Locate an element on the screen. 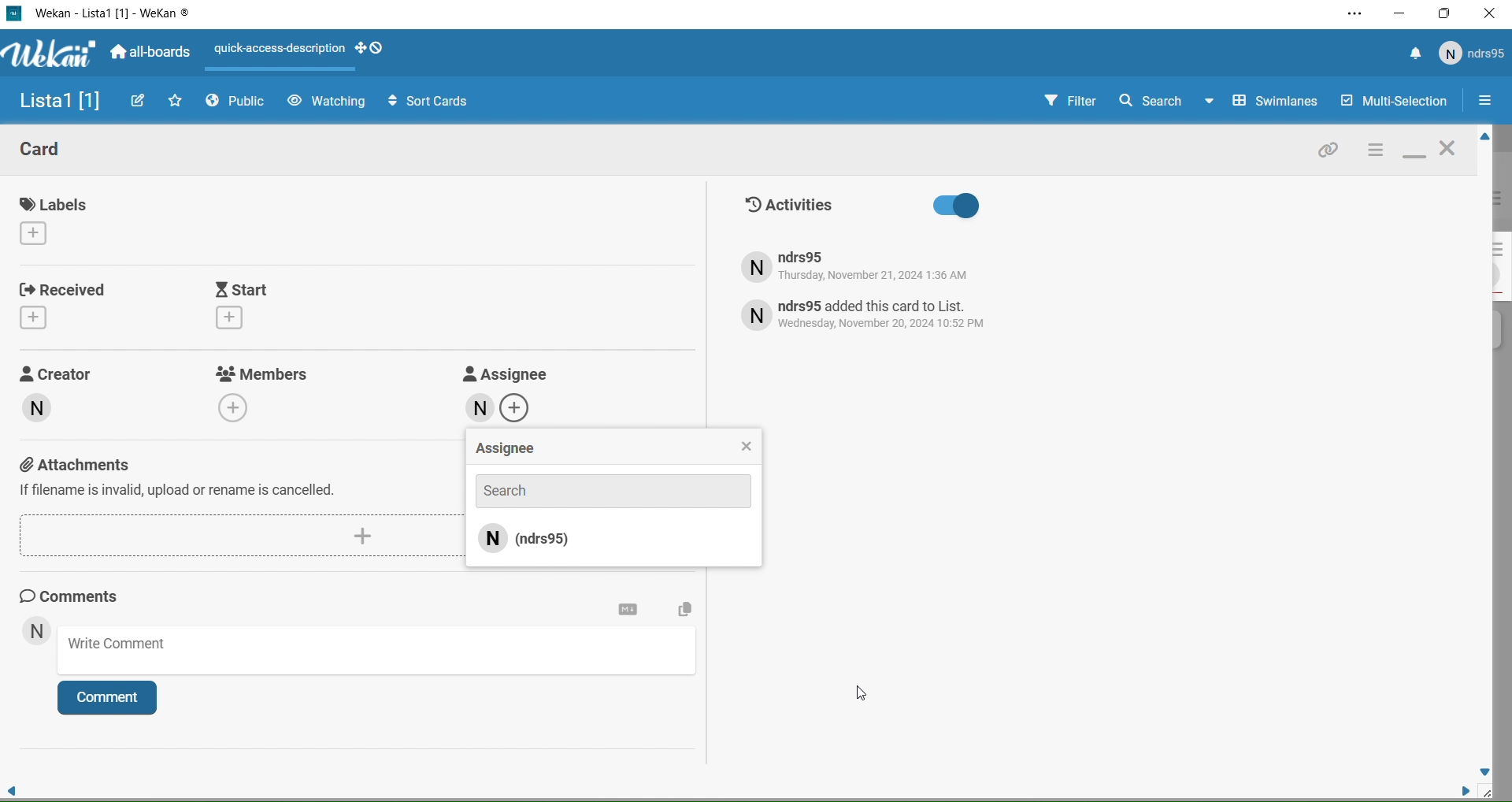  User is located at coordinates (36, 633).